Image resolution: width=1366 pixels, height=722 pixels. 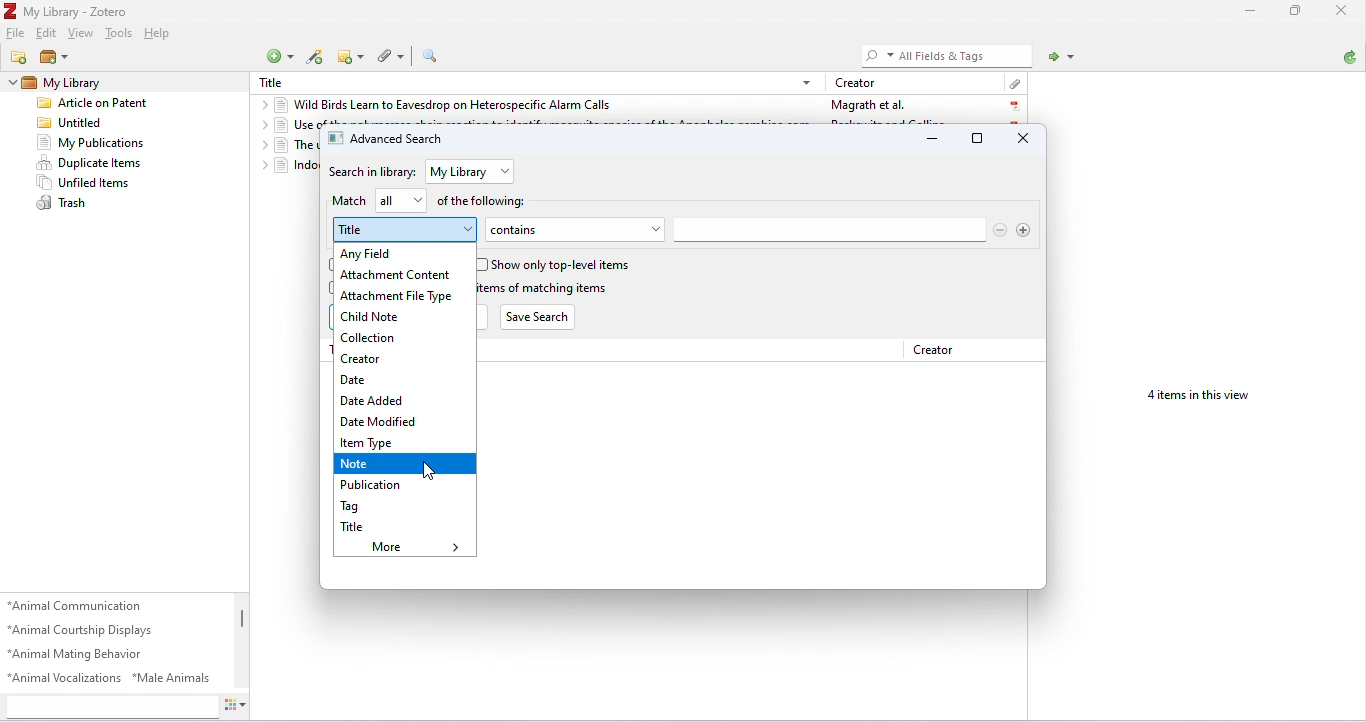 I want to click on drop-down, so click(x=12, y=82).